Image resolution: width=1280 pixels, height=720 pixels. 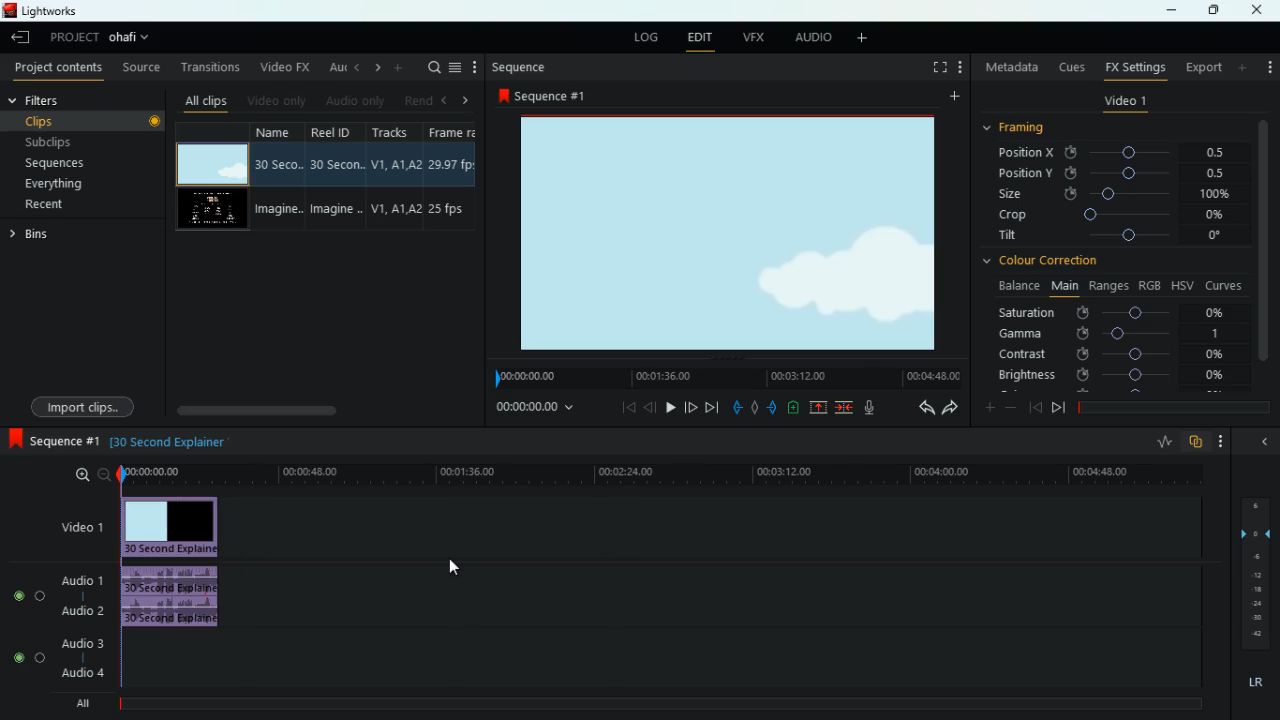 I want to click on crop, so click(x=1109, y=215).